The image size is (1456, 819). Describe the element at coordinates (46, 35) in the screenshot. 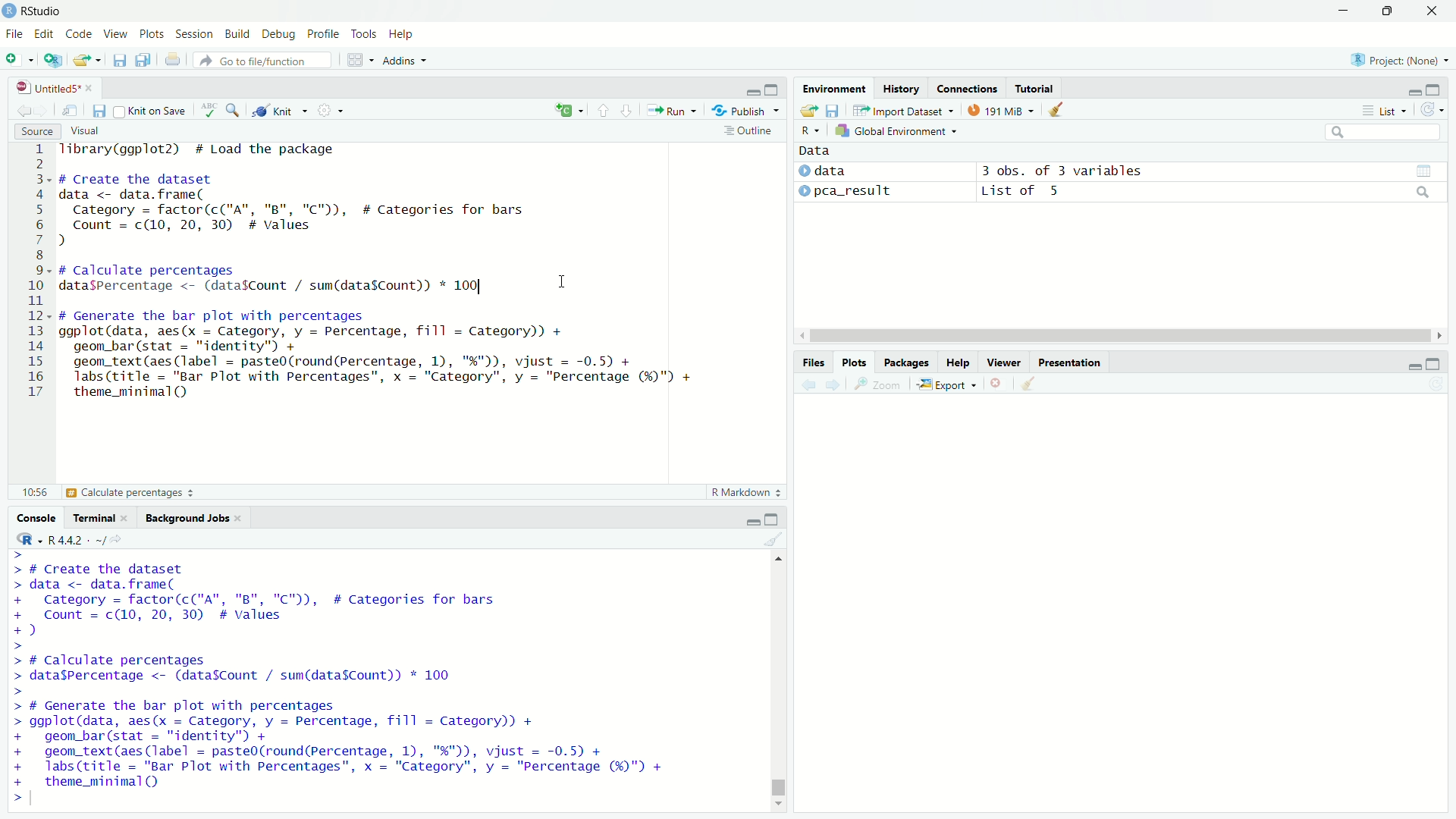

I see `Edit` at that location.